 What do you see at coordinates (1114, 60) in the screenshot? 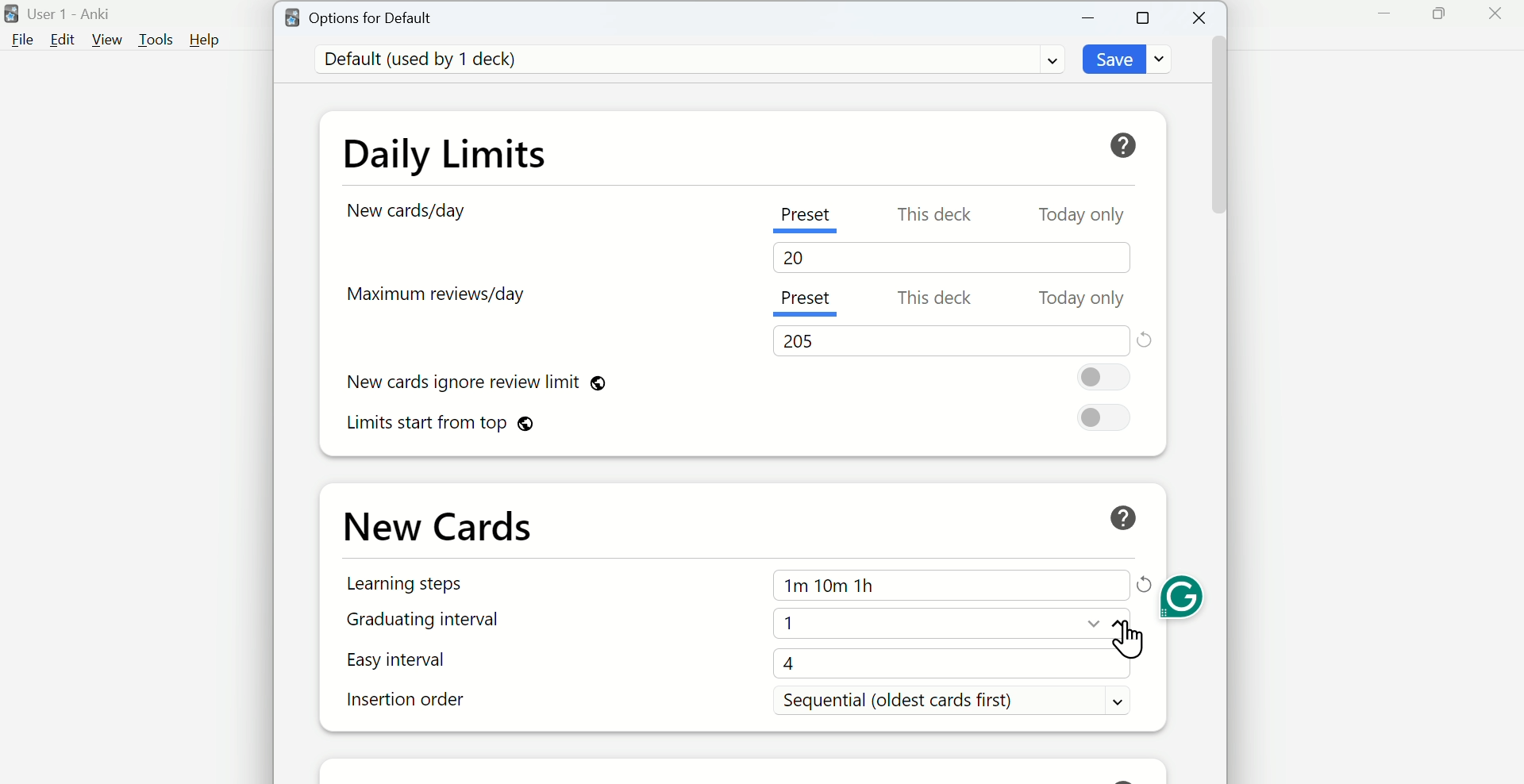
I see `Save` at bounding box center [1114, 60].